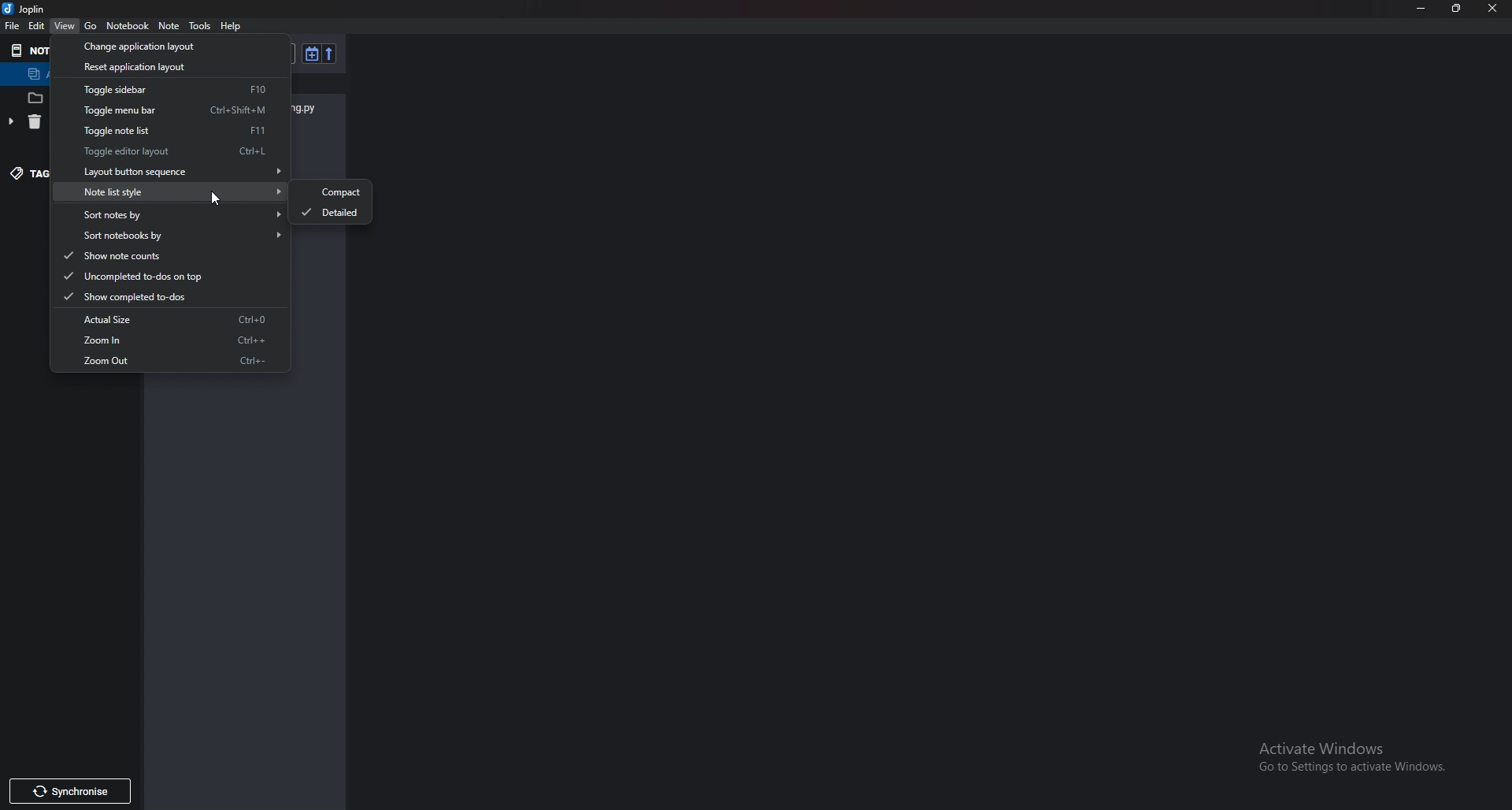 The image size is (1512, 810). I want to click on go, so click(91, 26).